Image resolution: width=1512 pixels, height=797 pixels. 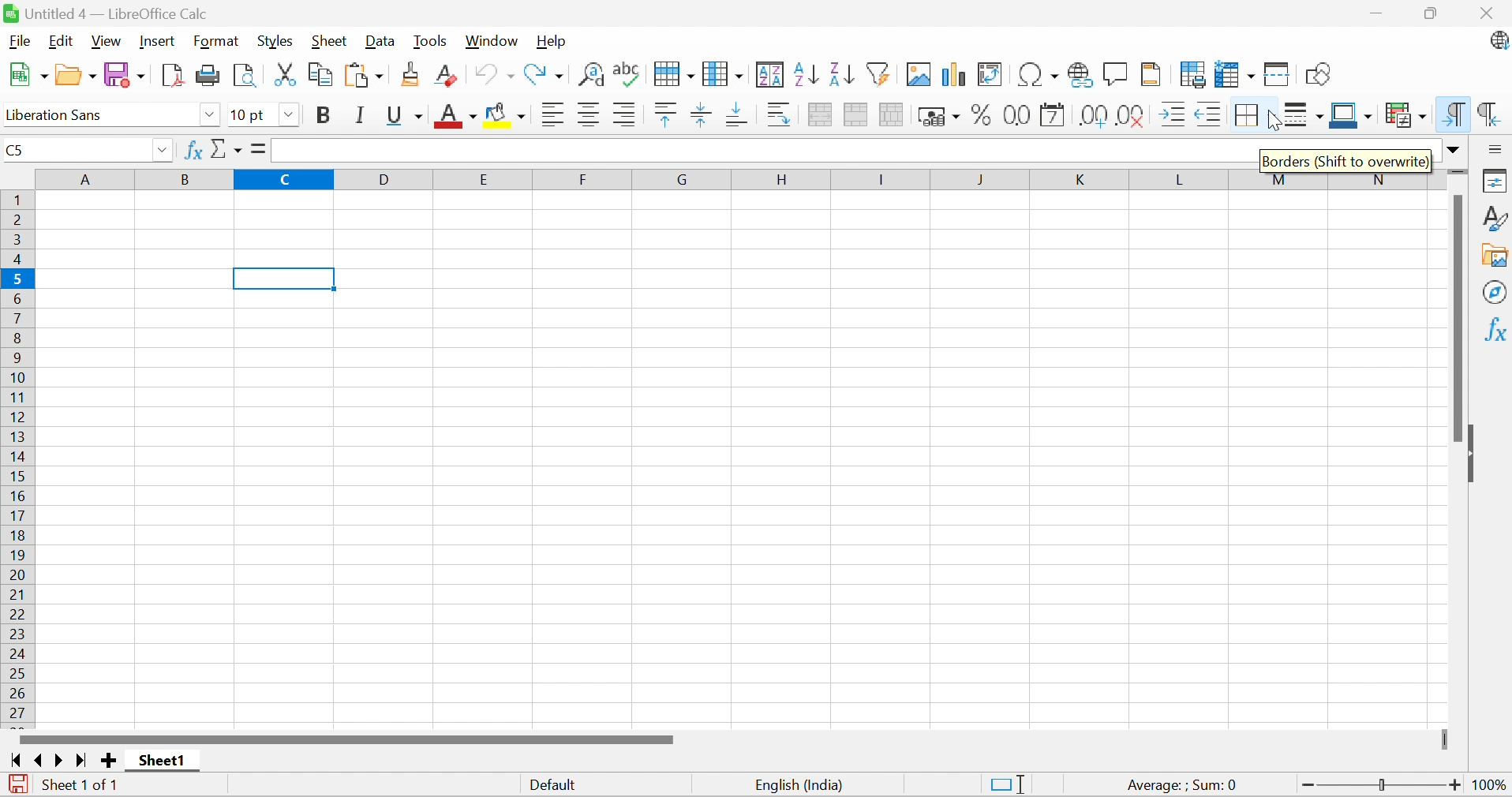 I want to click on Scroll to next sheet, so click(x=60, y=760).